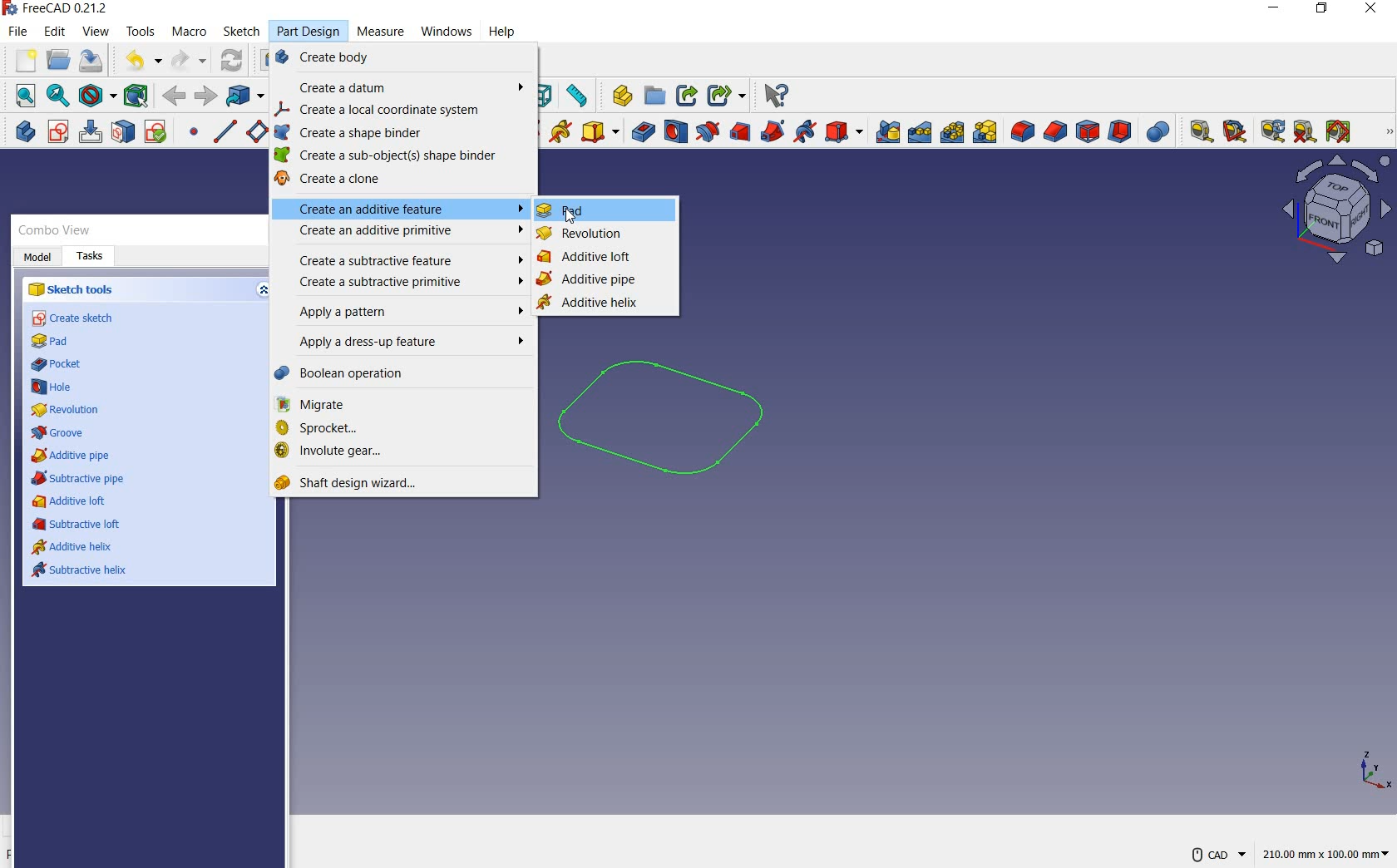  I want to click on create a sub-object shape binder, so click(392, 157).